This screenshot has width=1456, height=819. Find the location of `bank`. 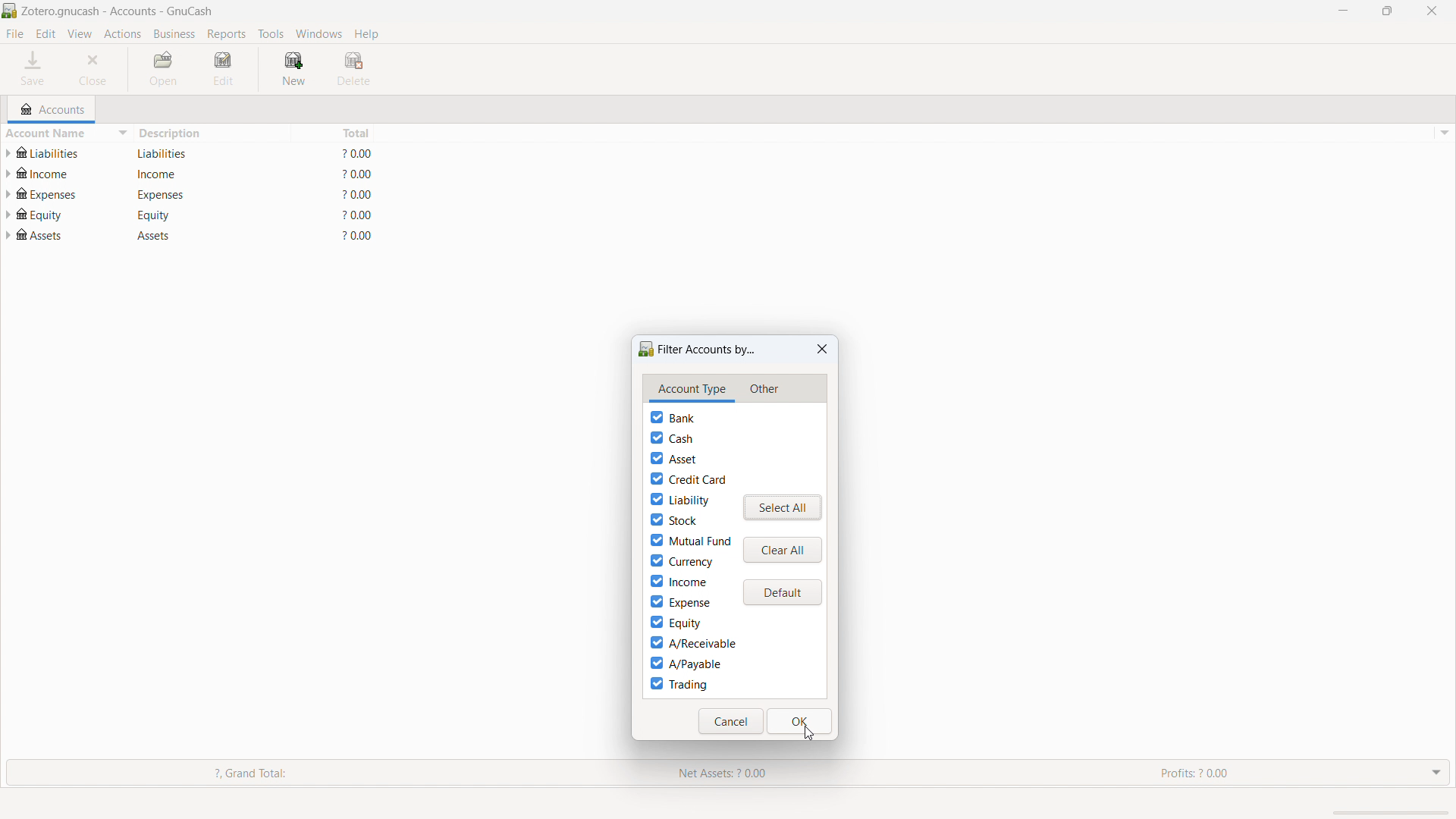

bank is located at coordinates (674, 417).